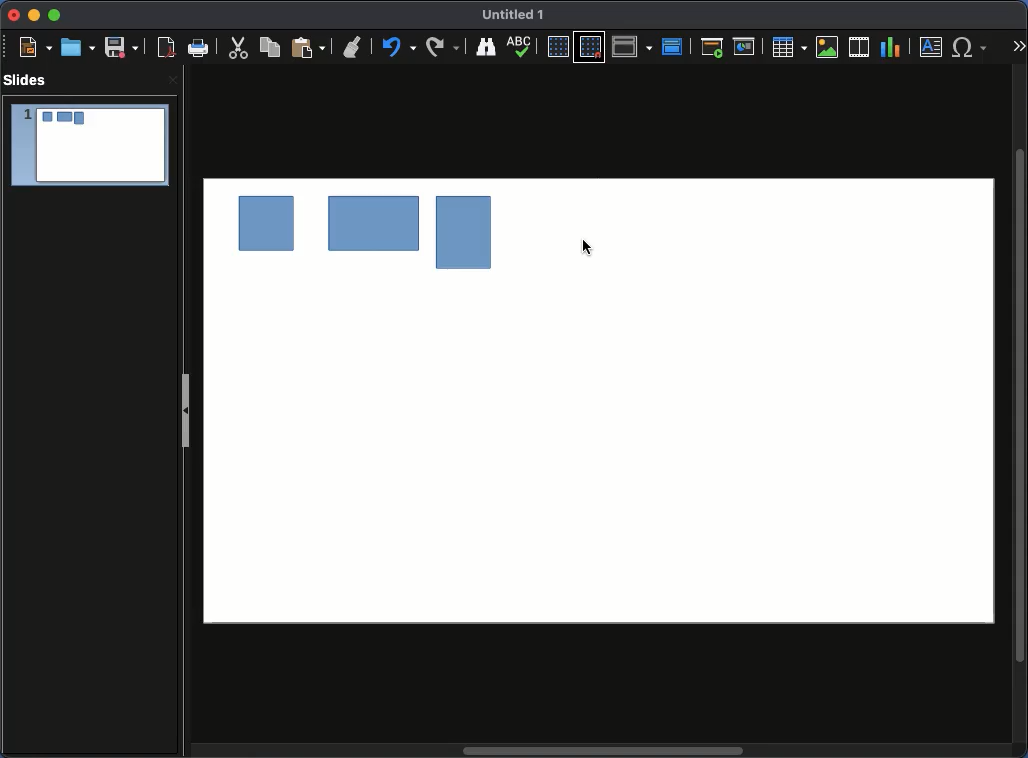 This screenshot has height=758, width=1028. I want to click on Start from current slide, so click(745, 48).